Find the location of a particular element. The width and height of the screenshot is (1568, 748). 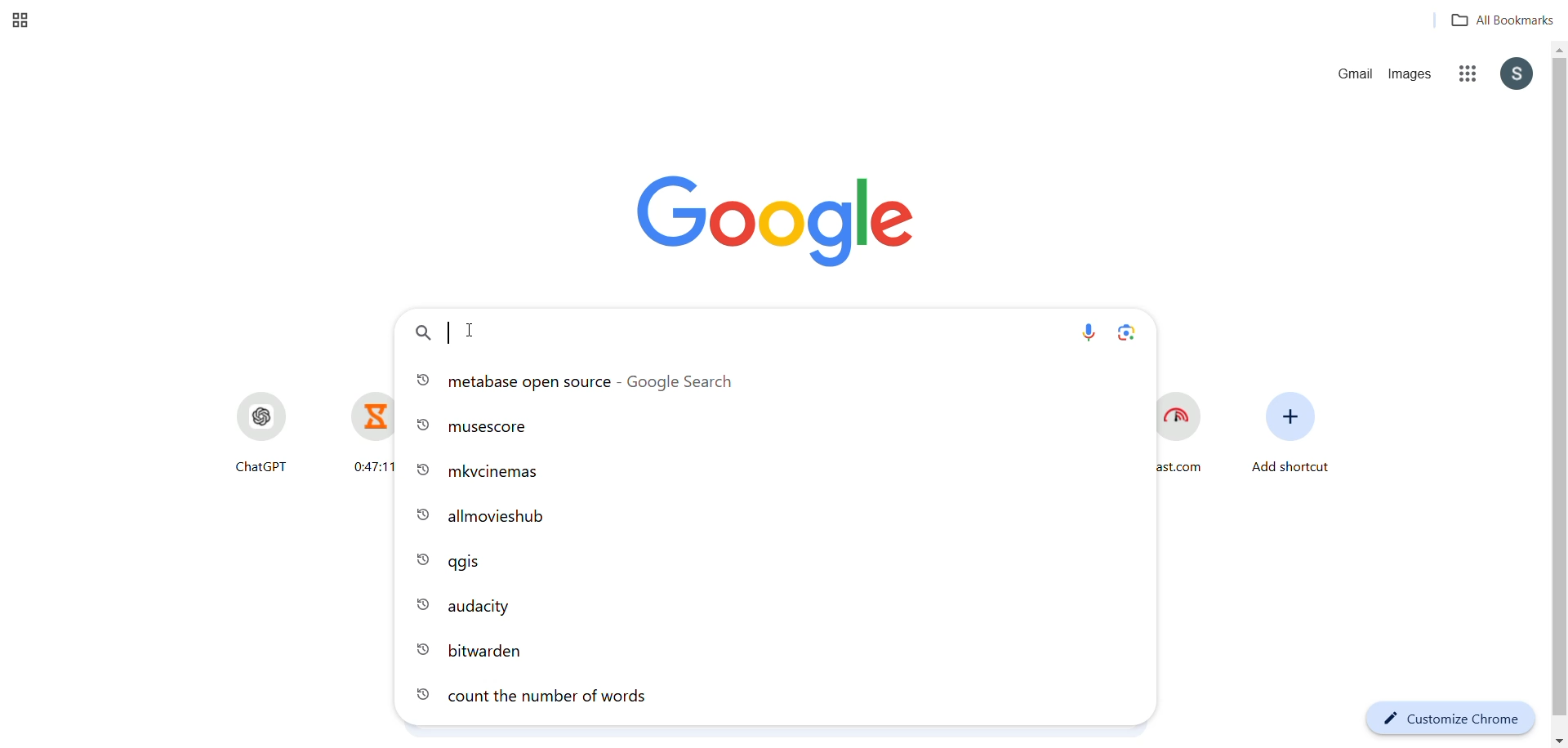

gmail is located at coordinates (1353, 76).